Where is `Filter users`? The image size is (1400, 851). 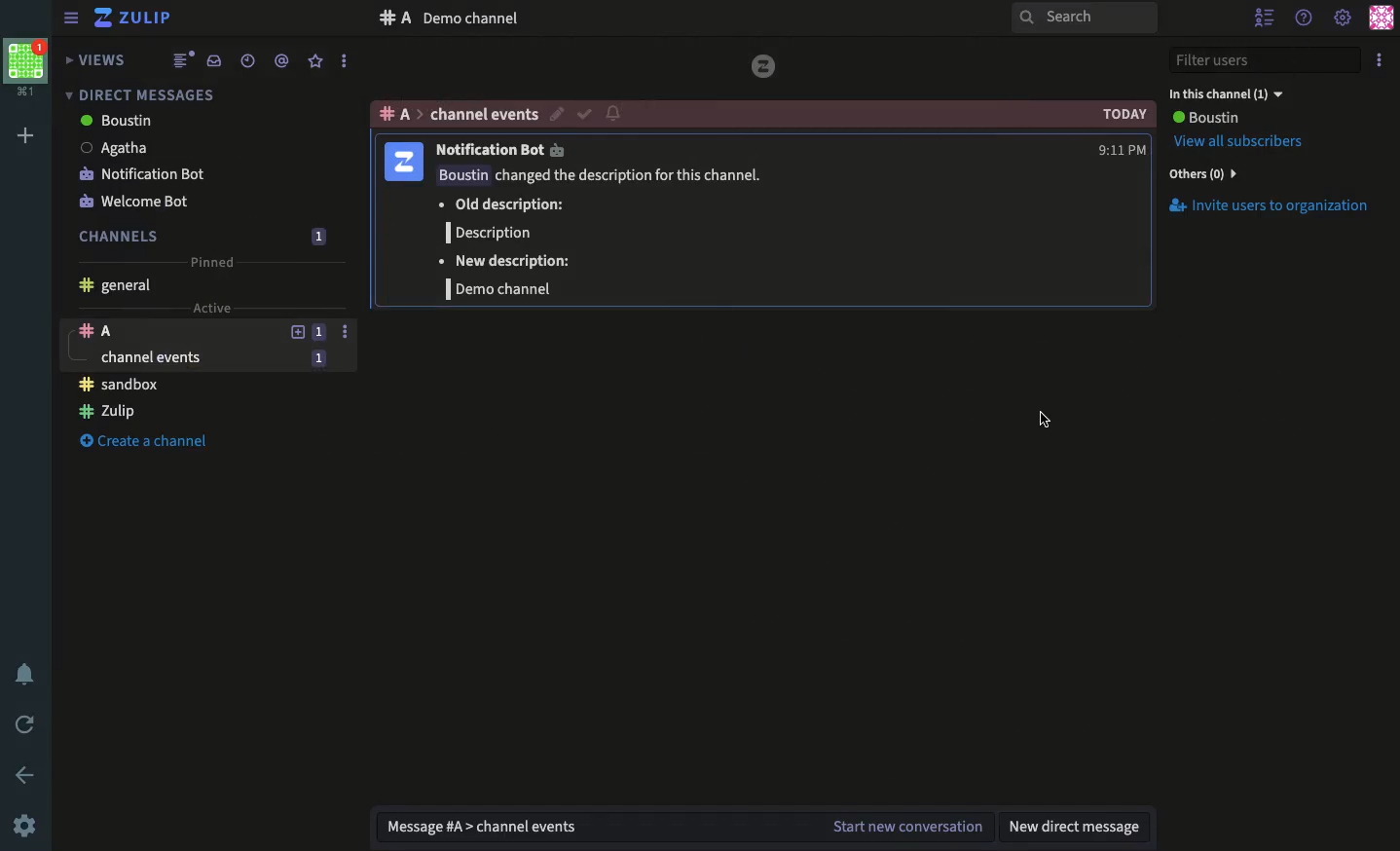
Filter users is located at coordinates (1265, 61).